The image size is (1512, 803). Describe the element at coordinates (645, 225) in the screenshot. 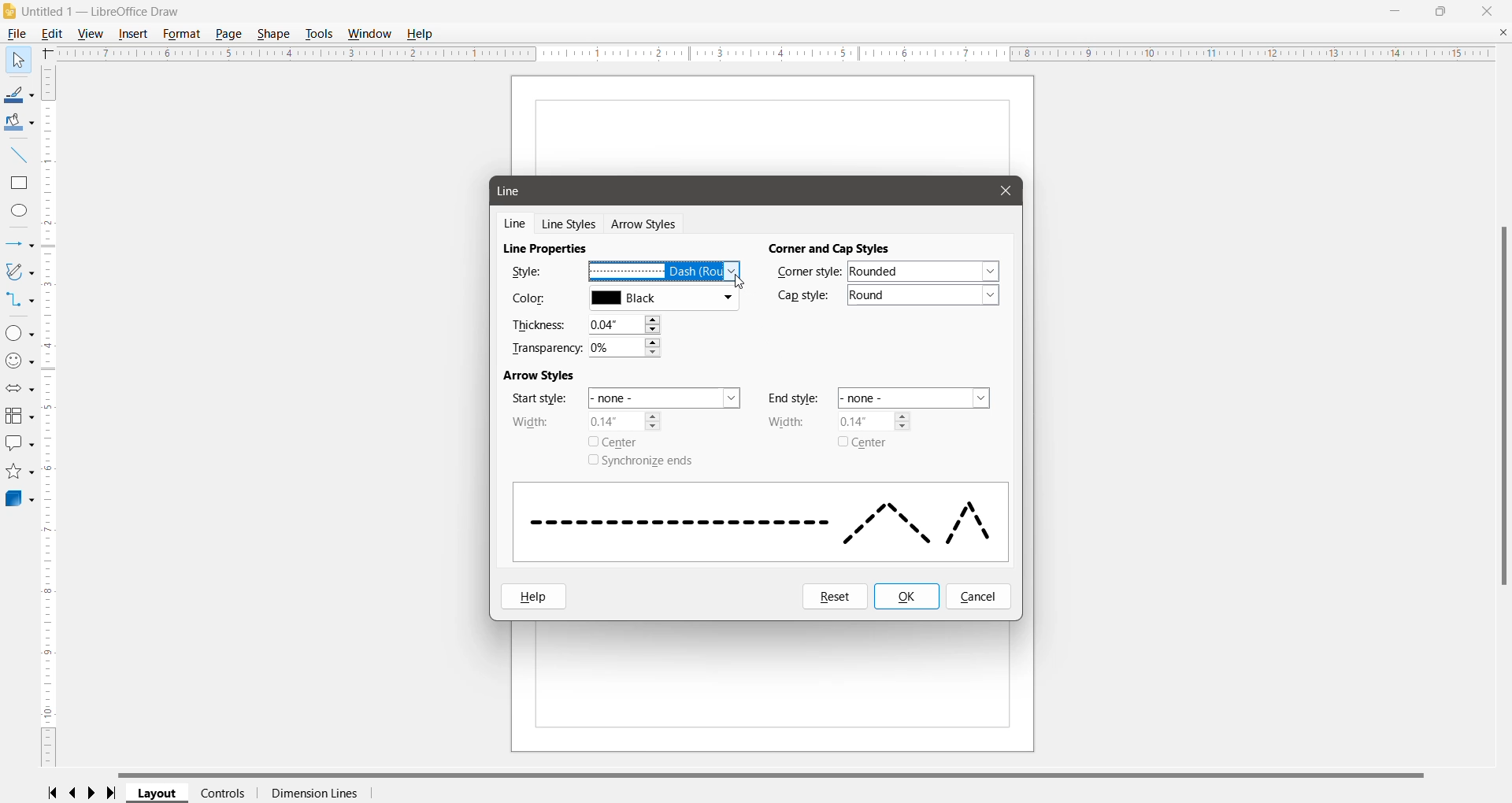

I see `Arrow Styles` at that location.